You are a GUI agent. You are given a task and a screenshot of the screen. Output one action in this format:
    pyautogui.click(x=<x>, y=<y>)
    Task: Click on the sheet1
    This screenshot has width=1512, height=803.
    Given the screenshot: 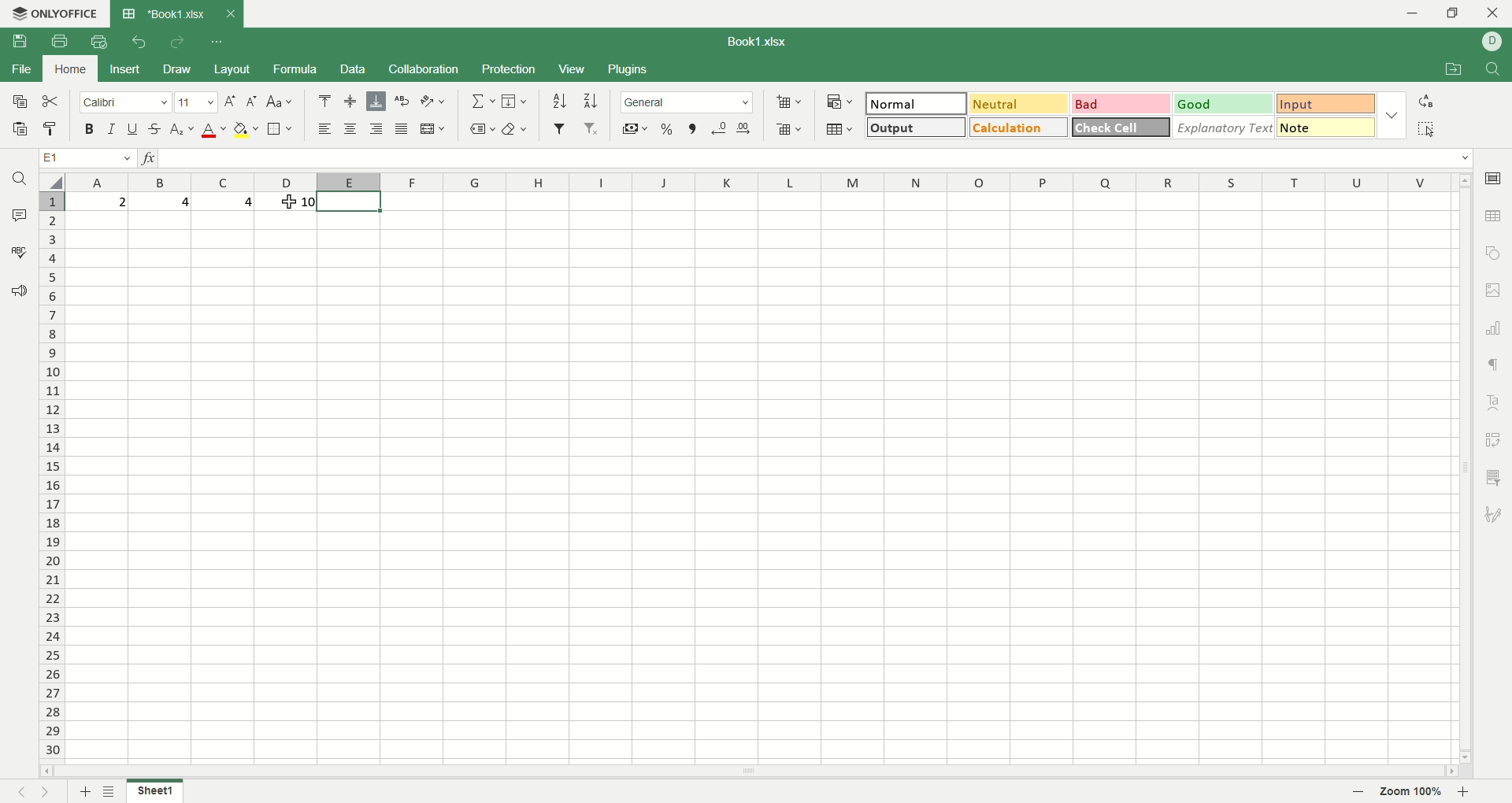 What is the action you would take?
    pyautogui.click(x=154, y=790)
    